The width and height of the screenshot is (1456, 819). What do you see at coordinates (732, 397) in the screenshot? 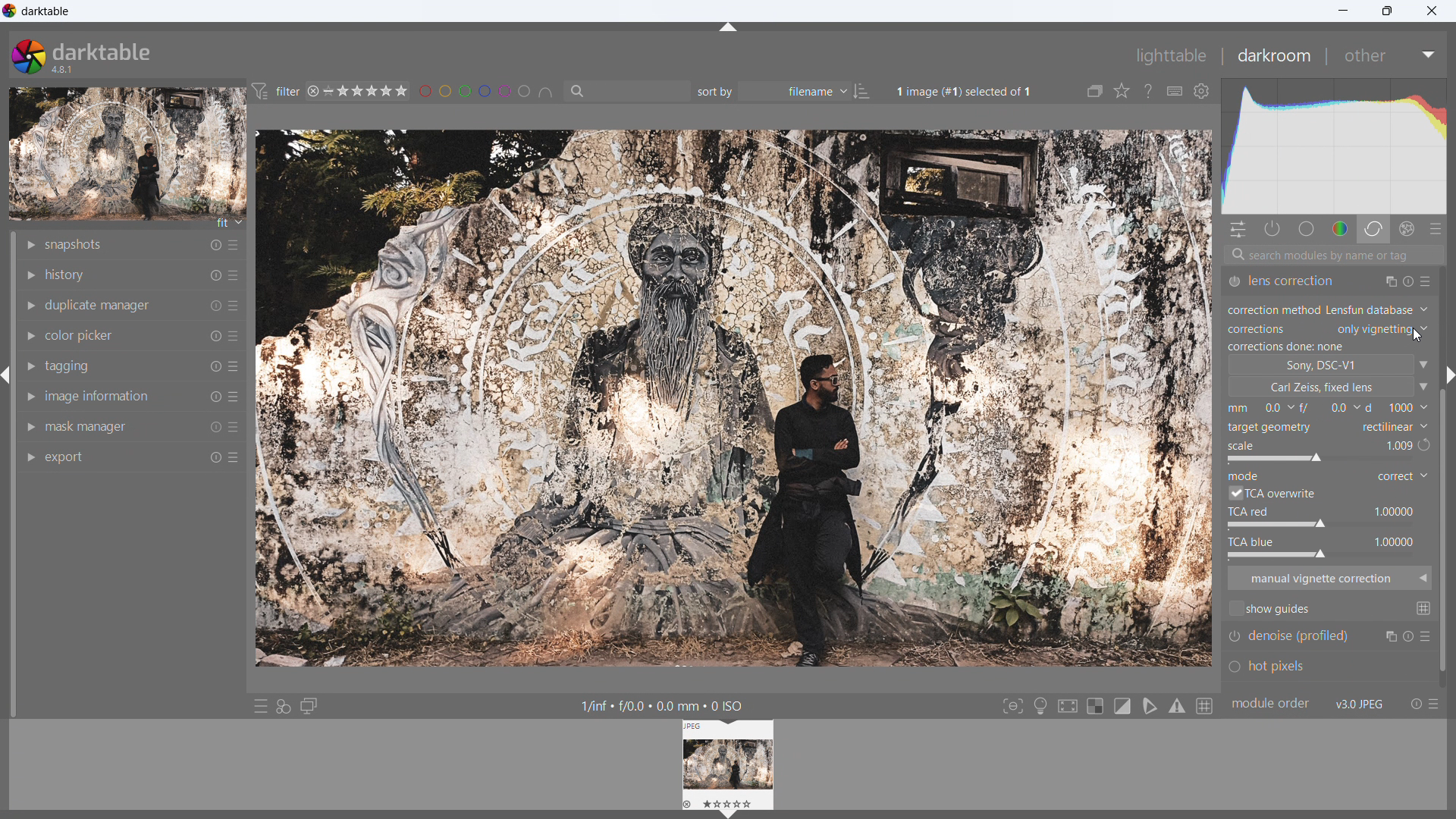
I see `image` at bounding box center [732, 397].